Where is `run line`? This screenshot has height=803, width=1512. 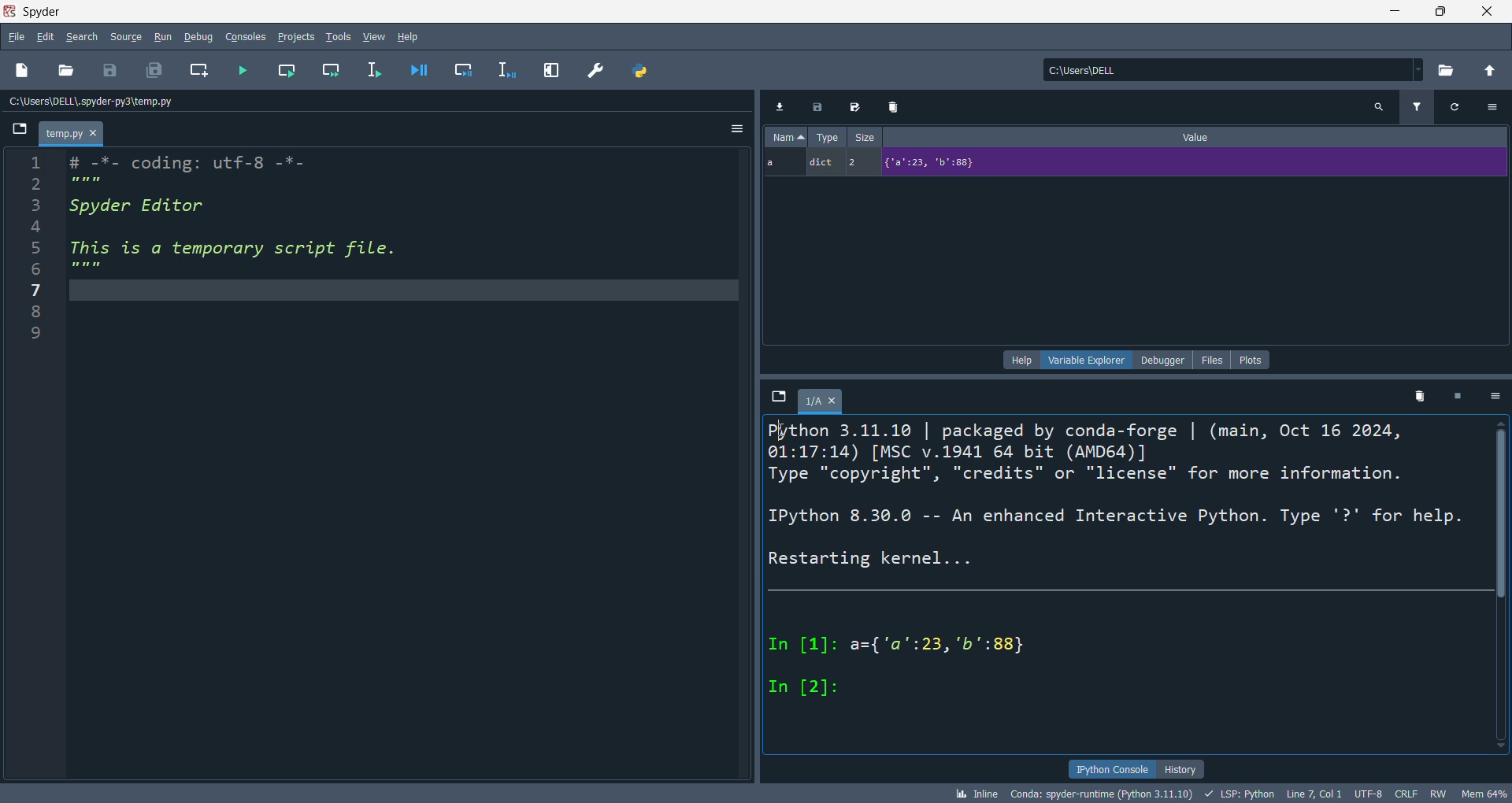
run line is located at coordinates (380, 73).